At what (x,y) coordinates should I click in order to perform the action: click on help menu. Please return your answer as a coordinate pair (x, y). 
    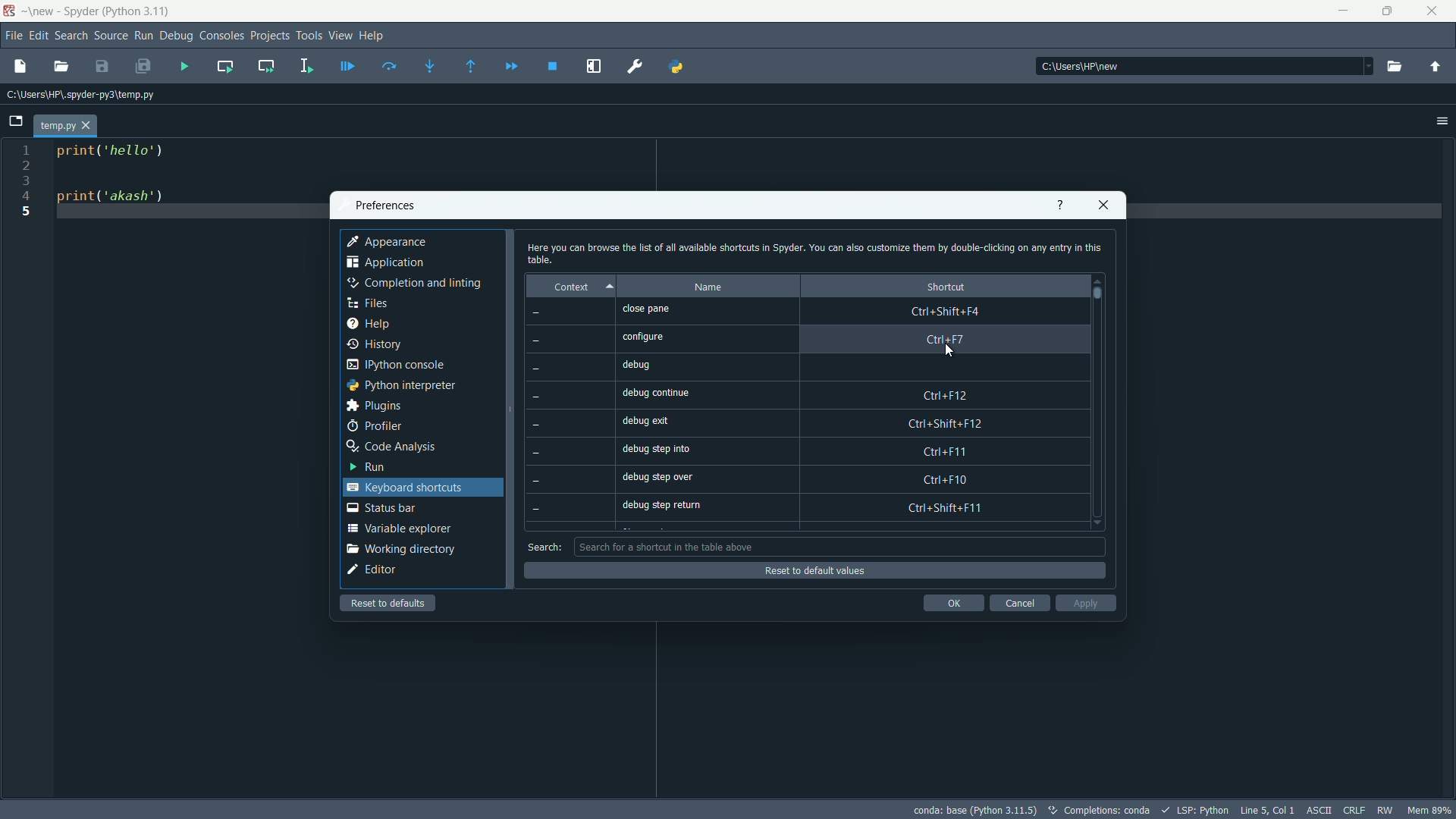
    Looking at the image, I should click on (372, 35).